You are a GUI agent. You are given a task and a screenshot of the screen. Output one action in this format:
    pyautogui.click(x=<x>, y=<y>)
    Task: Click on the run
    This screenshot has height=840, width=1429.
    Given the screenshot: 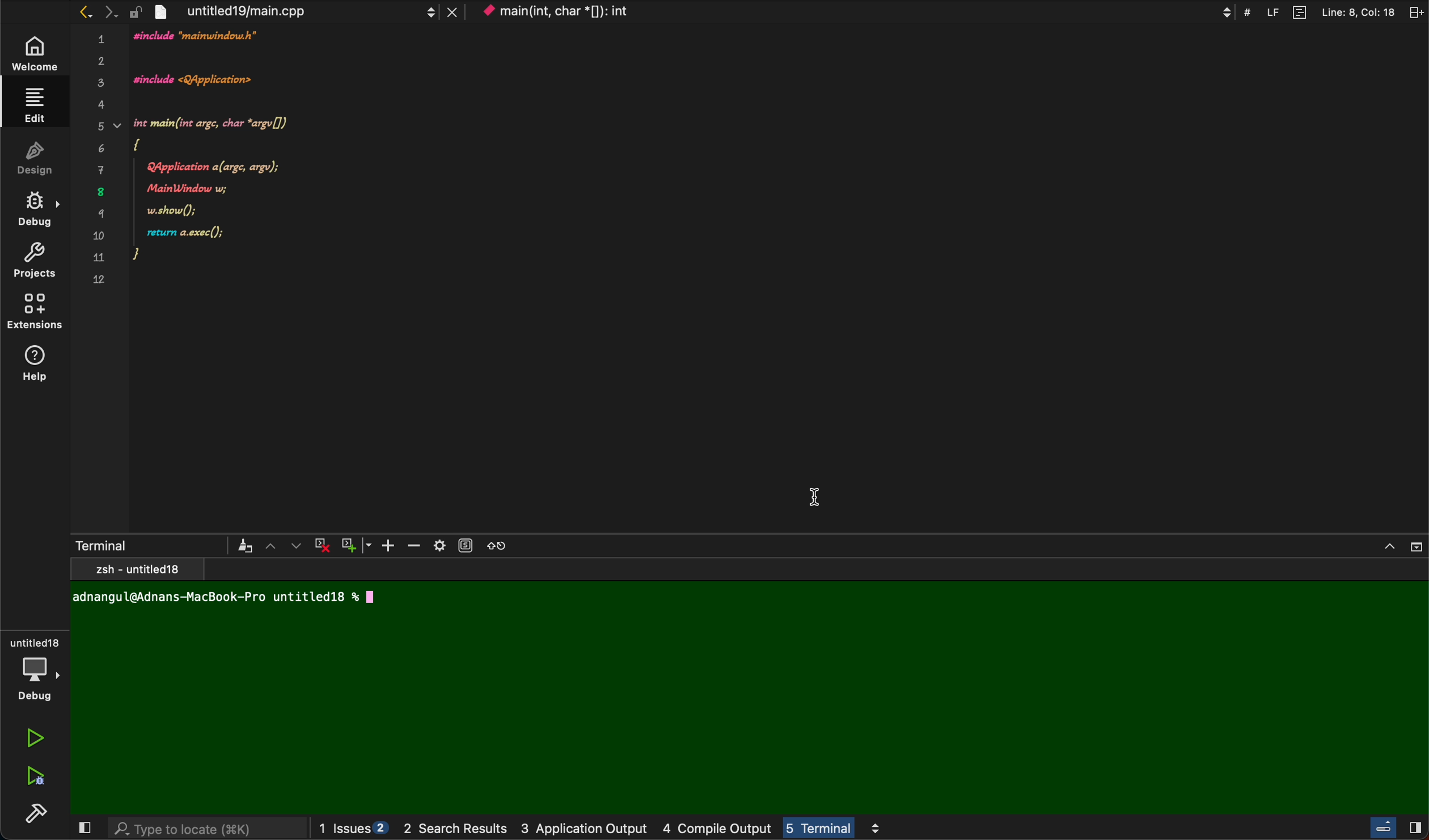 What is the action you would take?
    pyautogui.click(x=36, y=738)
    